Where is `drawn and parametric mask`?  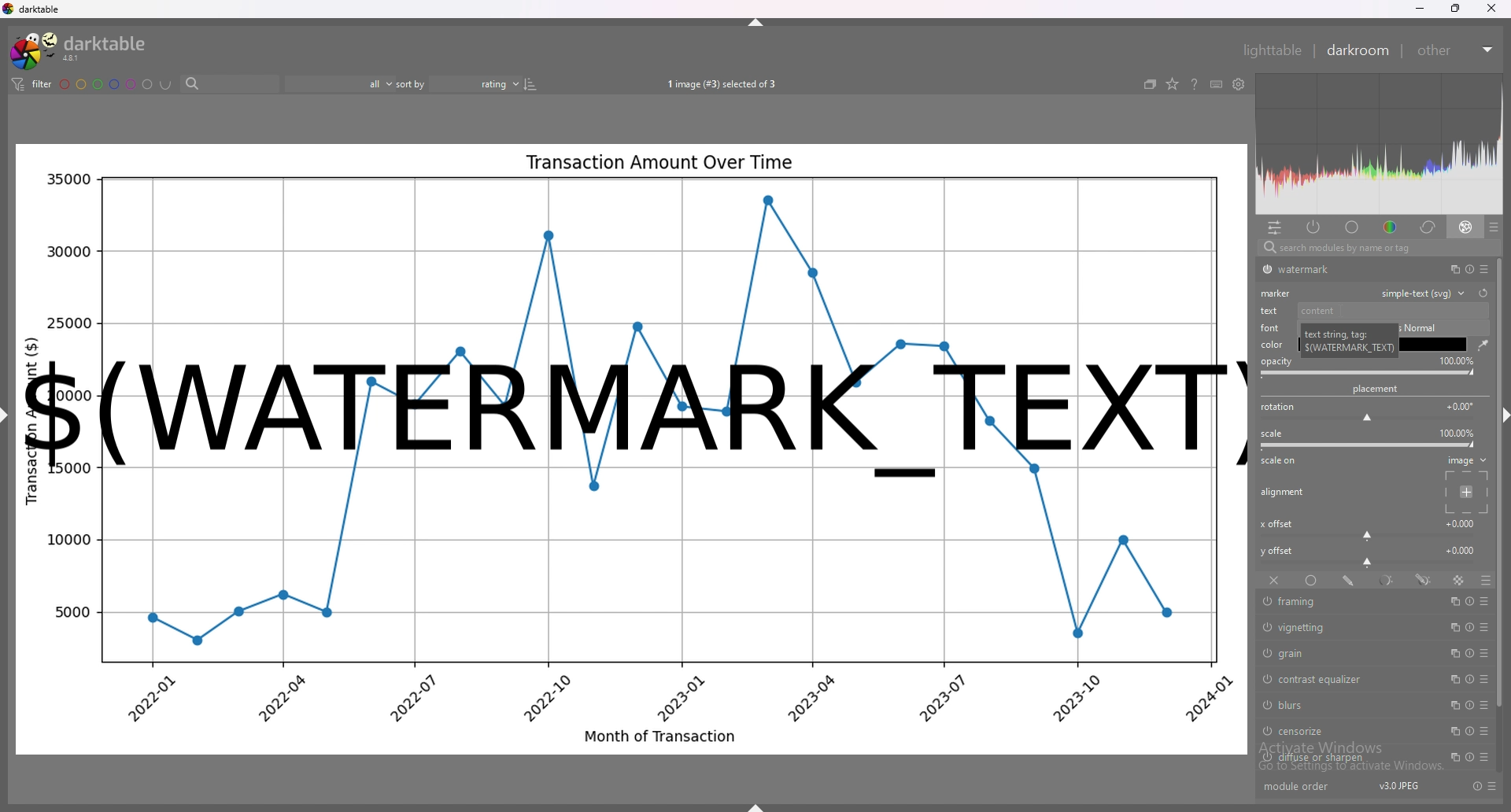 drawn and parametric mask is located at coordinates (1425, 580).